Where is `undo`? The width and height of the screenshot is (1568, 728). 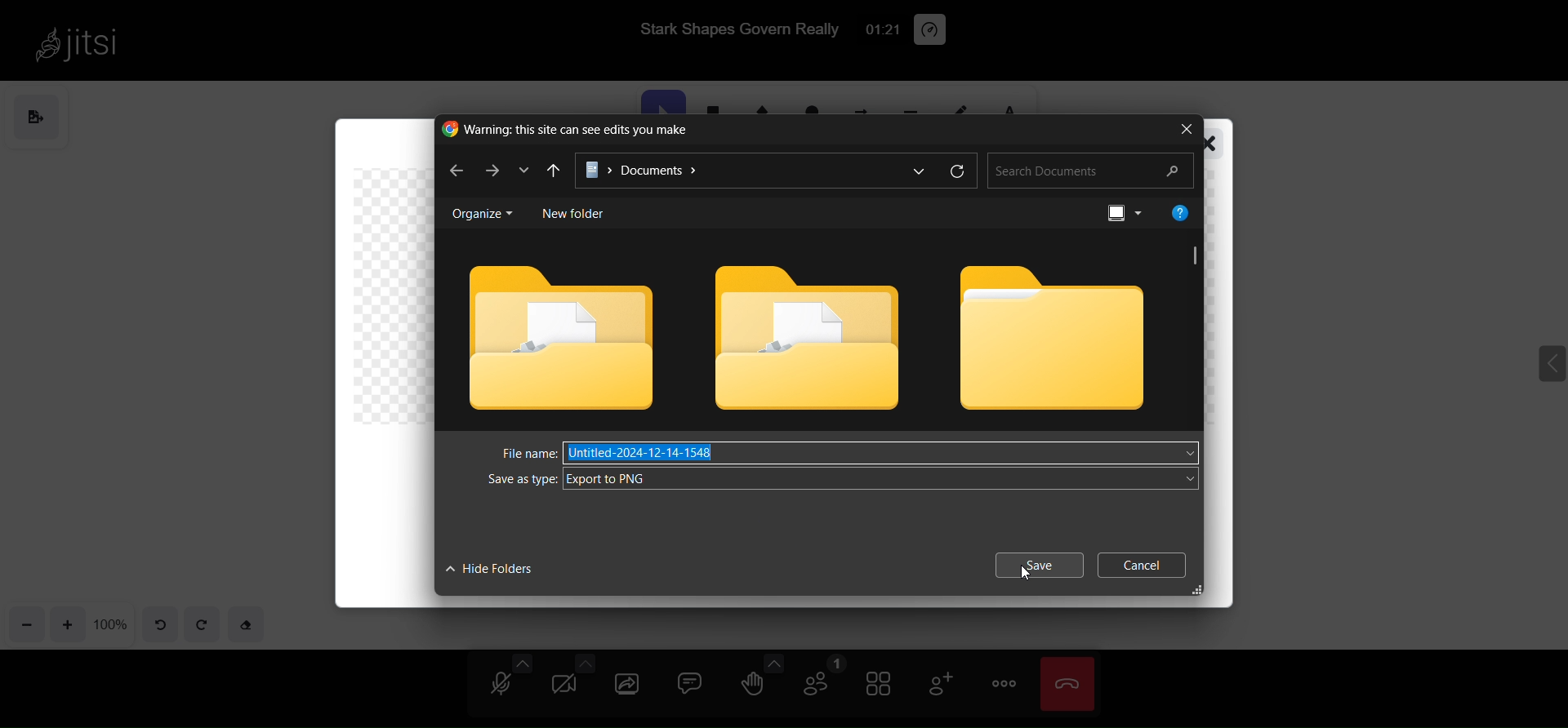 undo is located at coordinates (158, 624).